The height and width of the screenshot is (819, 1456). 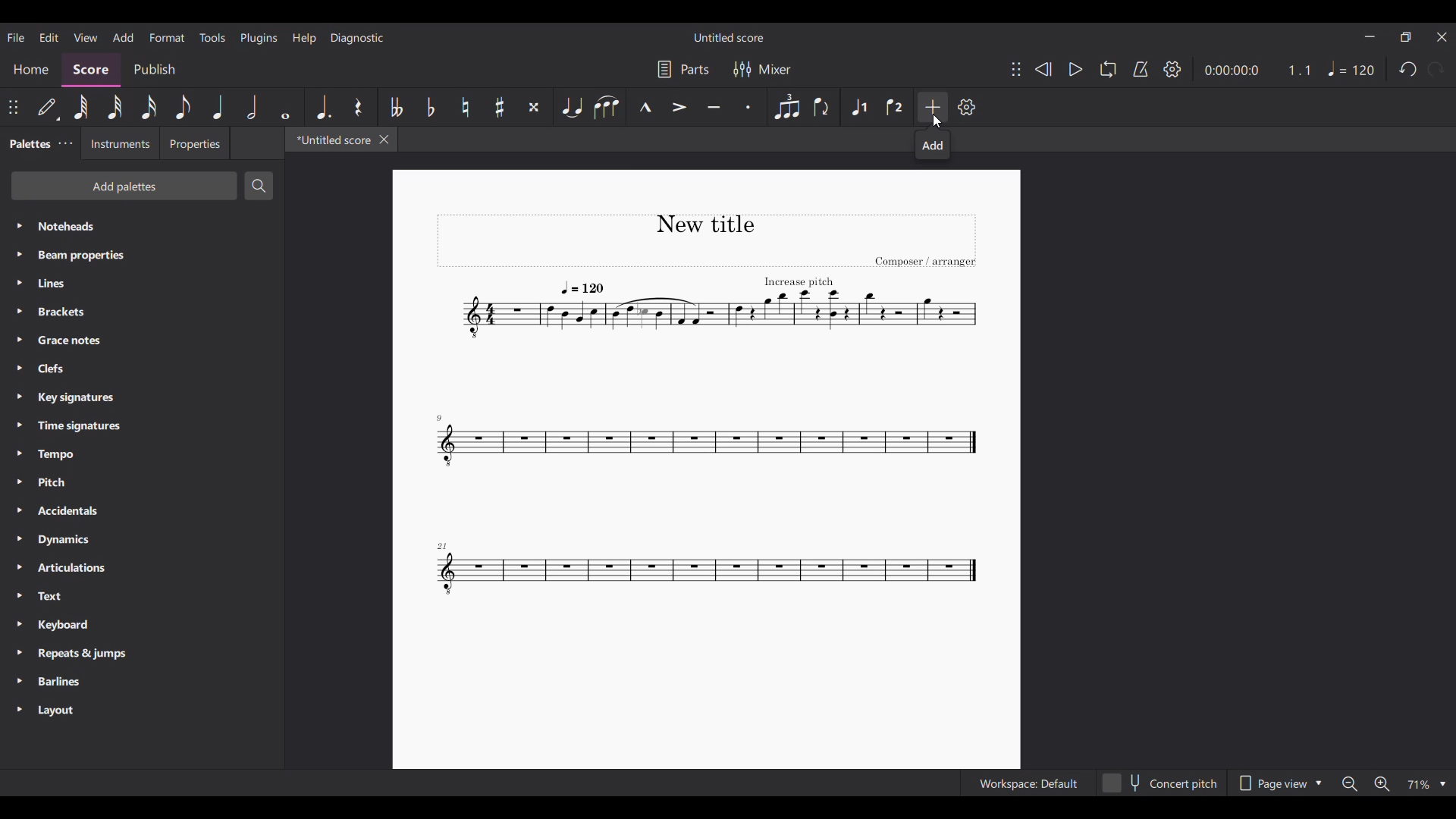 What do you see at coordinates (49, 36) in the screenshot?
I see `Edit menu` at bounding box center [49, 36].